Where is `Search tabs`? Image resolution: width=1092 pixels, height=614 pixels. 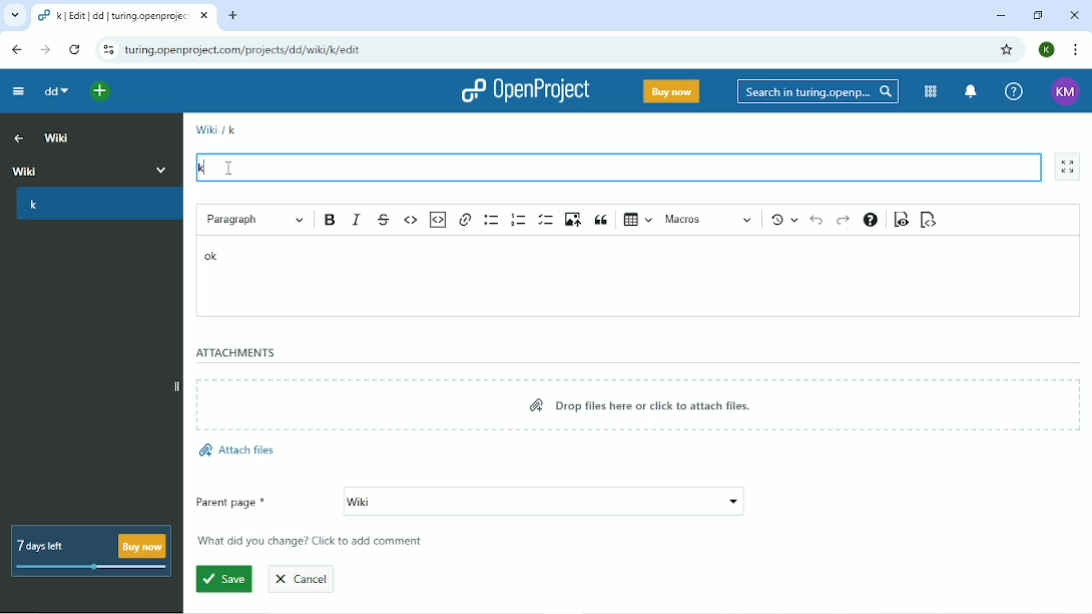 Search tabs is located at coordinates (17, 16).